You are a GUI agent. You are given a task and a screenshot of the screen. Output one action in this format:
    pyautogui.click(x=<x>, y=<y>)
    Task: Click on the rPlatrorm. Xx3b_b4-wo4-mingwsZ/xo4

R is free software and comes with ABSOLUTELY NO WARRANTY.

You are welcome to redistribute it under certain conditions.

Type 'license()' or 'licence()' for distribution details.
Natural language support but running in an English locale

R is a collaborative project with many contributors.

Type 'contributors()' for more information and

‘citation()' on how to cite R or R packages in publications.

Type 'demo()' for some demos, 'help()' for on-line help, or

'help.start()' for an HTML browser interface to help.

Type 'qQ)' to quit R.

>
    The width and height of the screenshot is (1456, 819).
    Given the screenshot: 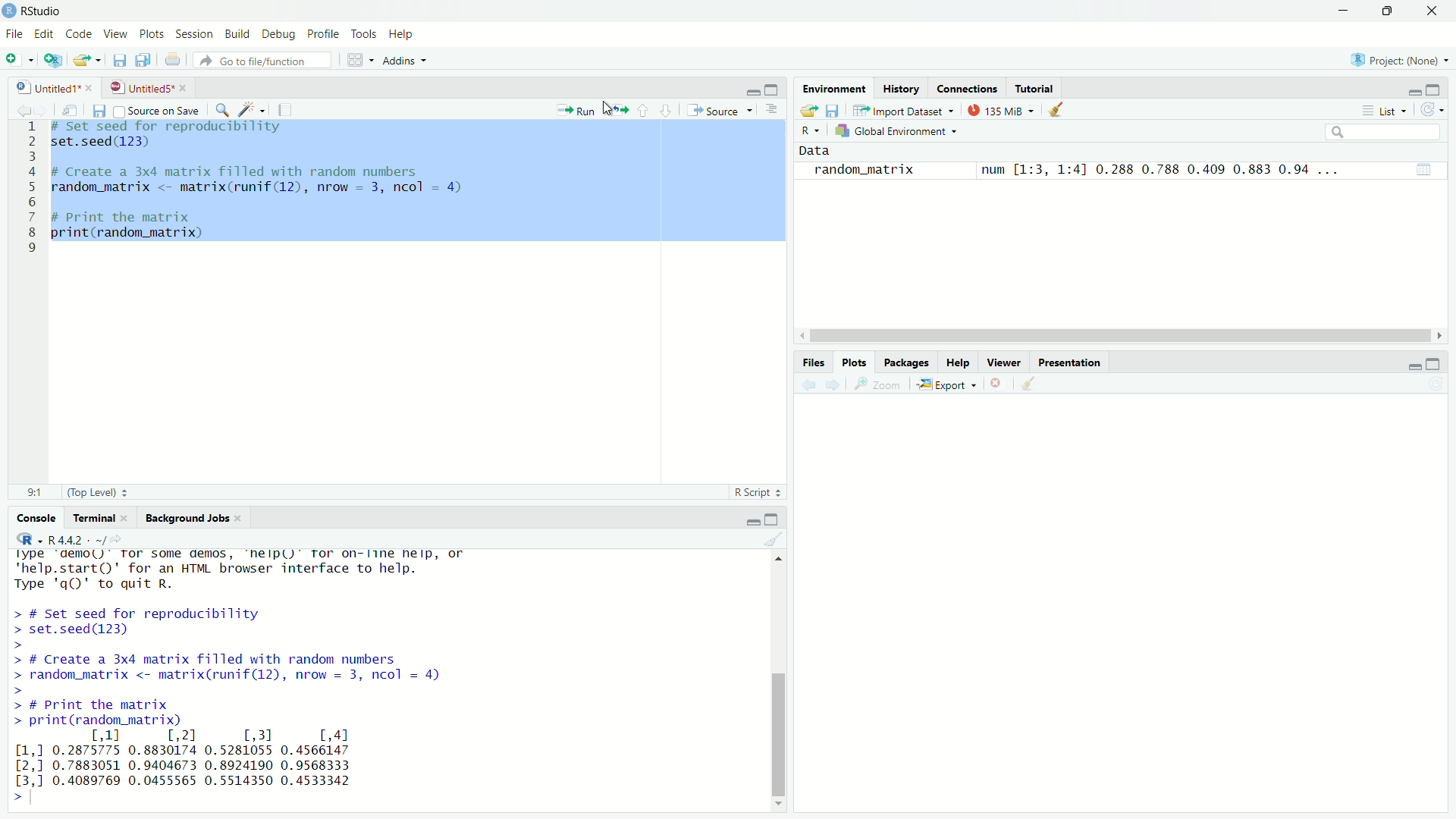 What is the action you would take?
    pyautogui.click(x=270, y=678)
    